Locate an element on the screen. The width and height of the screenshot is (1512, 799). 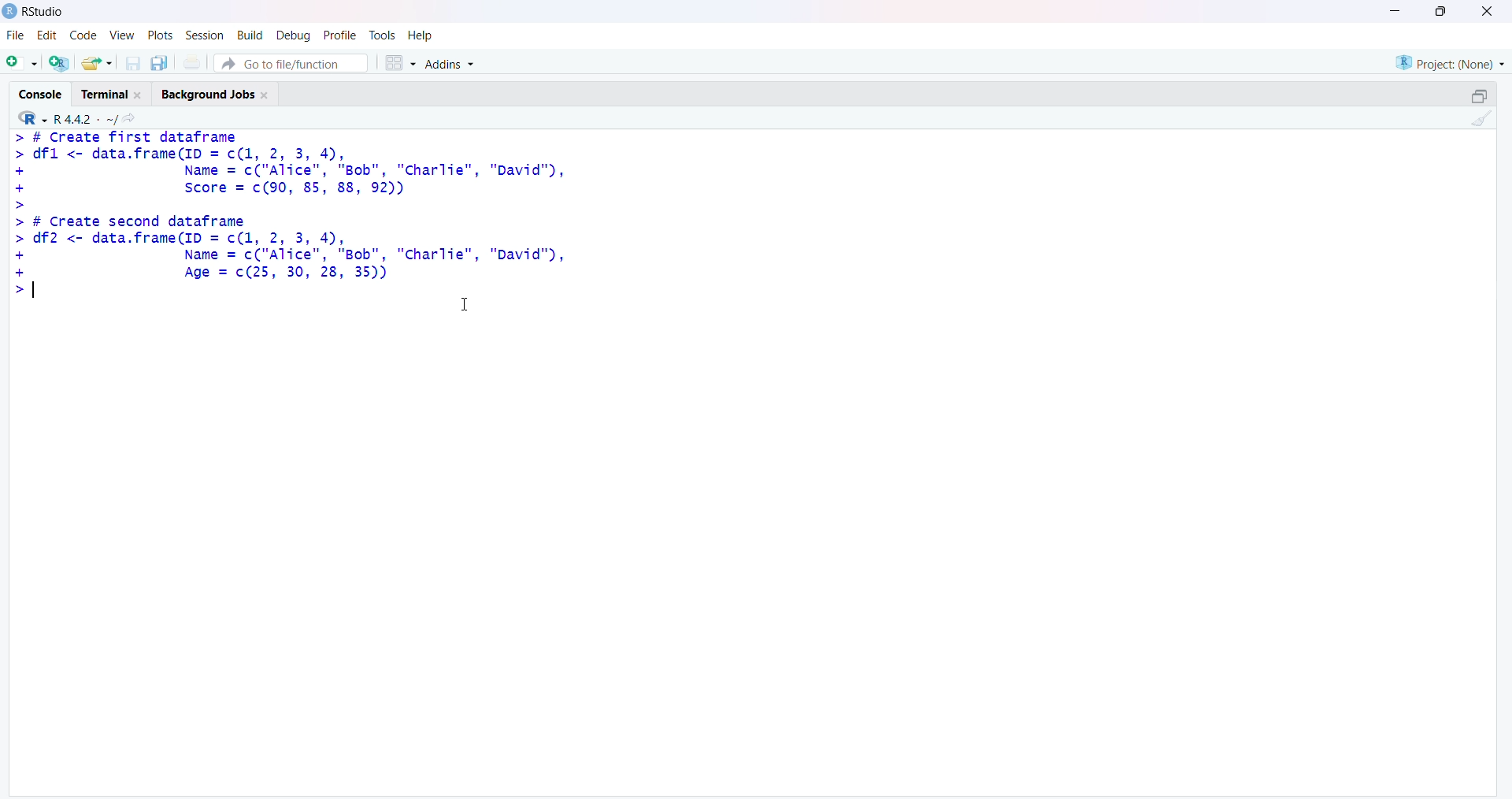
file is located at coordinates (17, 35).